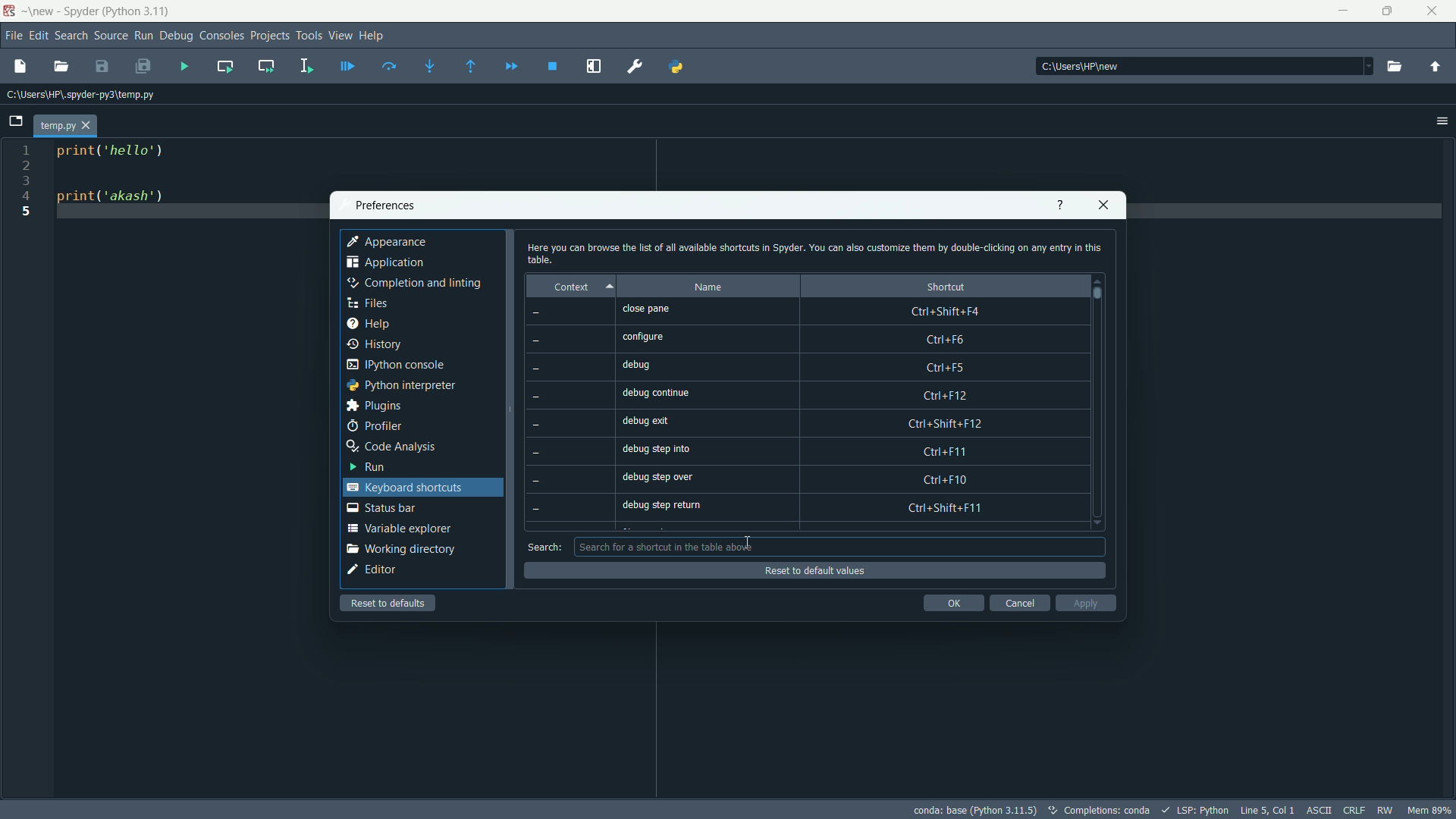  I want to click on prefrences, so click(385, 206).